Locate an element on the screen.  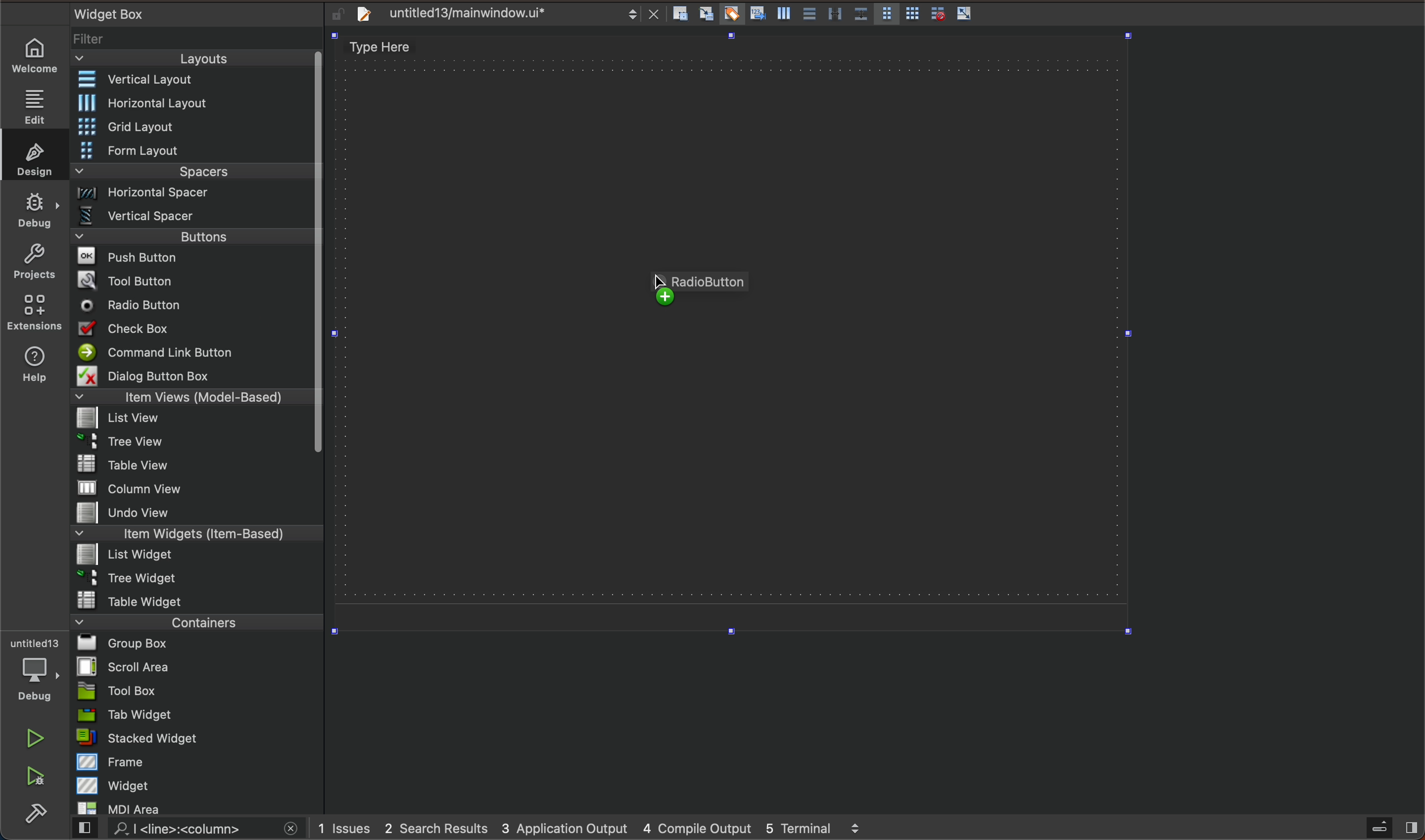
check box is located at coordinates (192, 331).